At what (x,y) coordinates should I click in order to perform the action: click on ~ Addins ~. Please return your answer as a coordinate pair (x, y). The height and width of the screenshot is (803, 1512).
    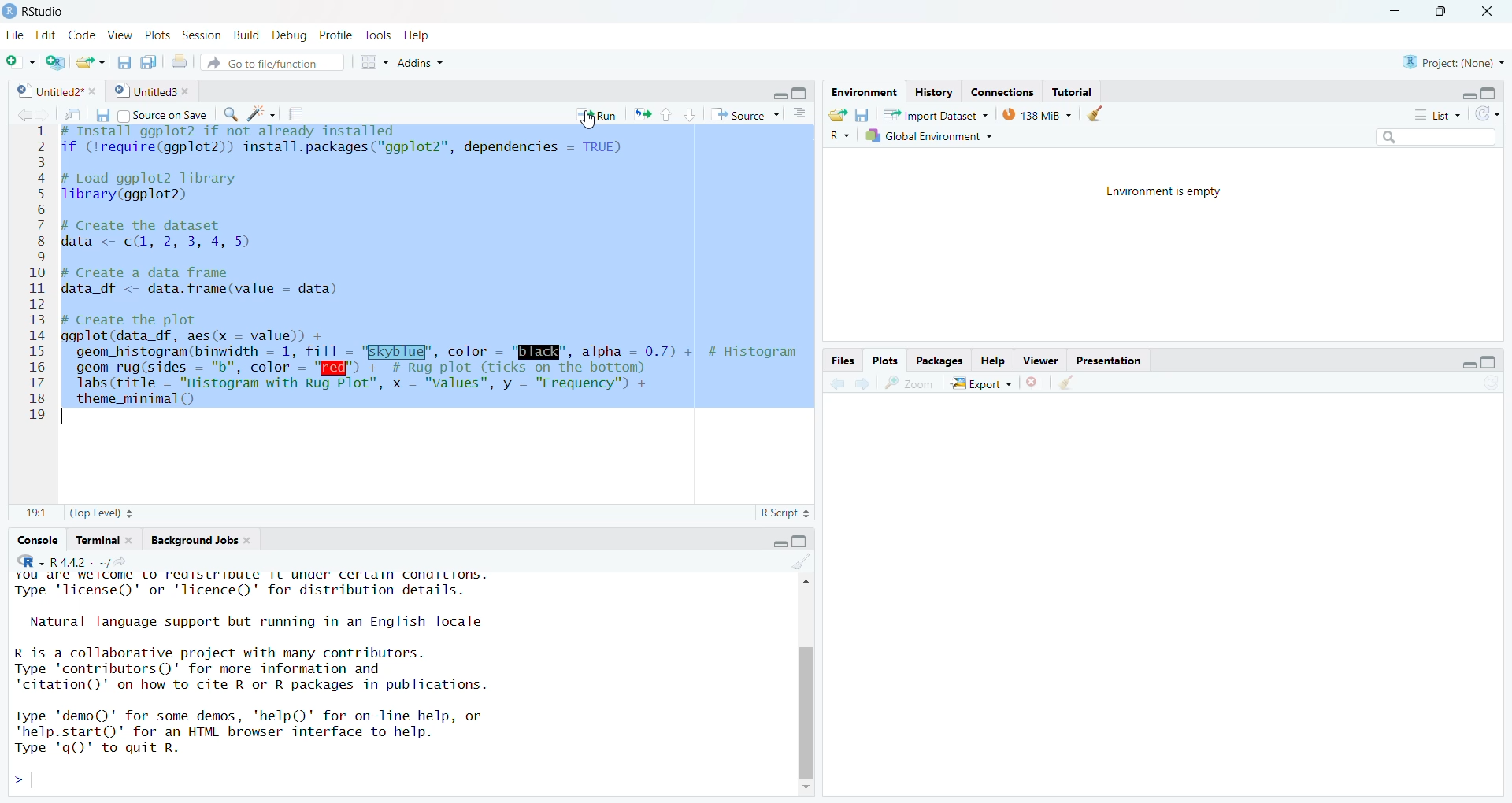
    Looking at the image, I should click on (434, 61).